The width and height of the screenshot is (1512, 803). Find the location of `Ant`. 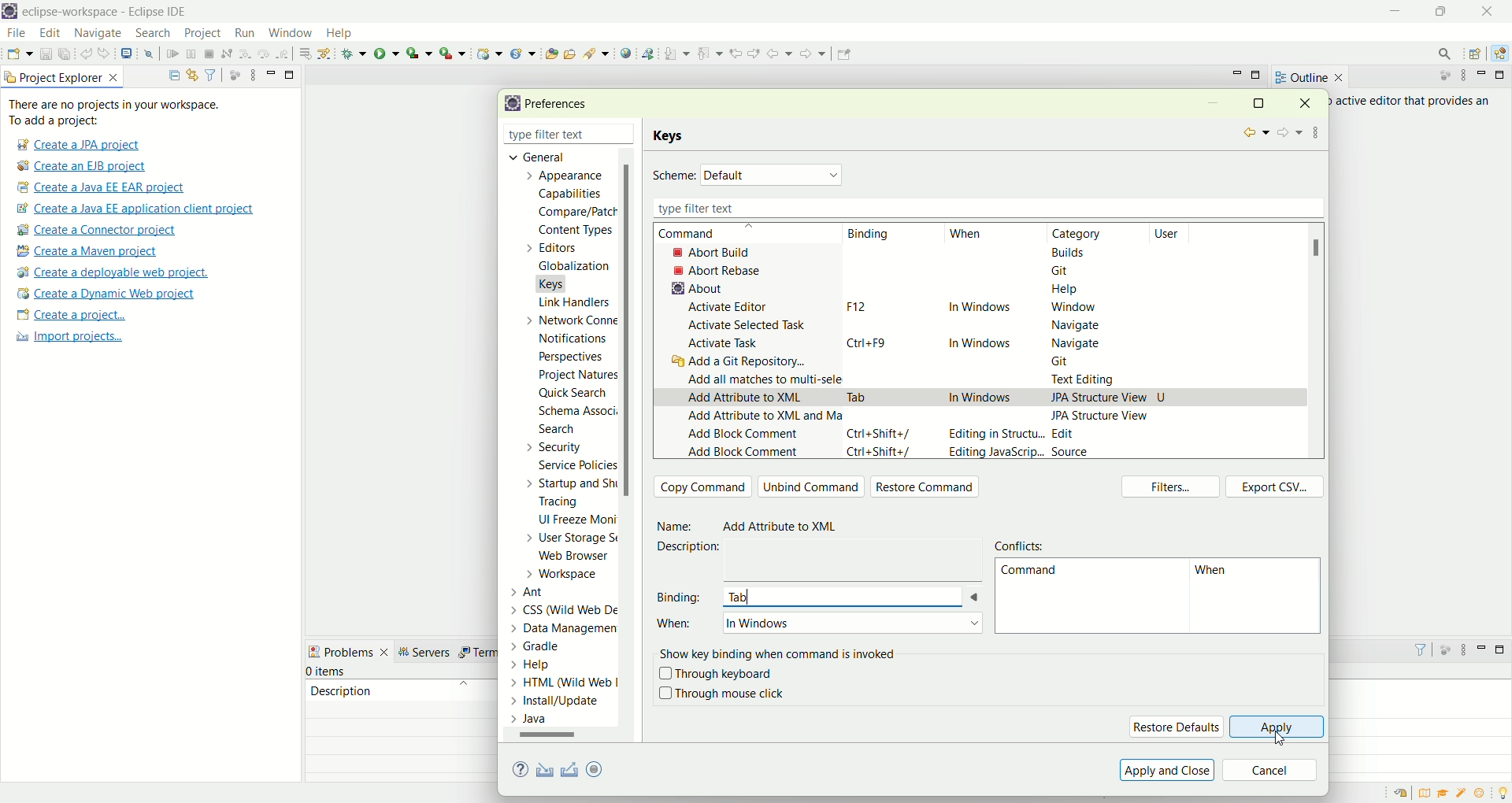

Ant is located at coordinates (537, 590).